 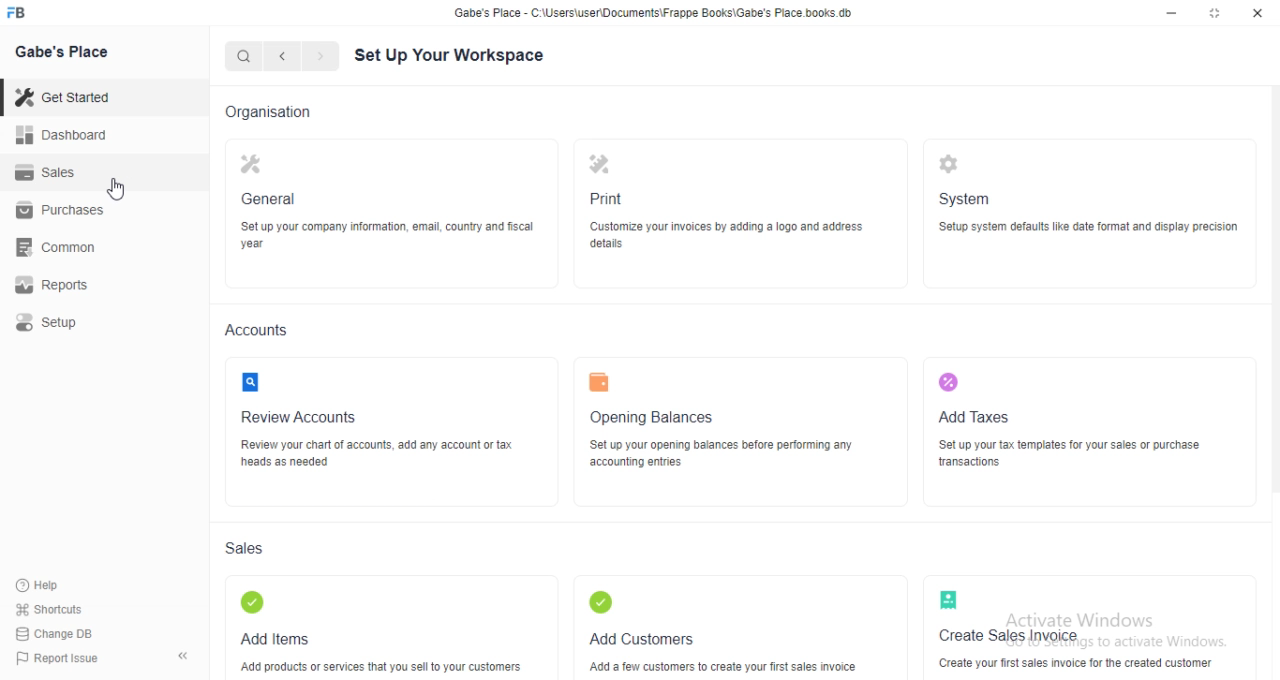 What do you see at coordinates (729, 665) in the screenshot?
I see `Add a few customers to create your first sales invoice` at bounding box center [729, 665].